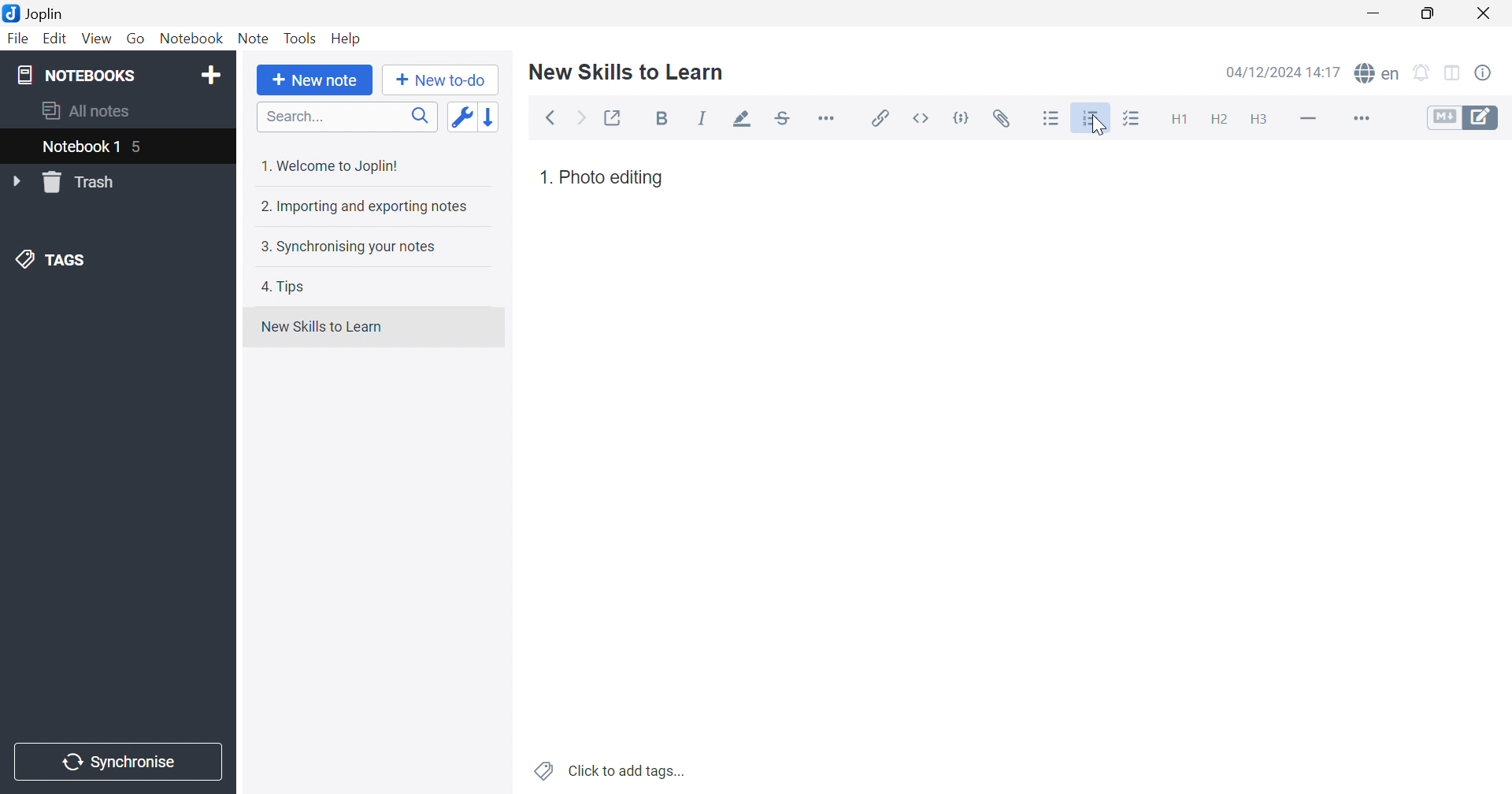 The image size is (1512, 794). What do you see at coordinates (738, 121) in the screenshot?
I see `Highlight` at bounding box center [738, 121].